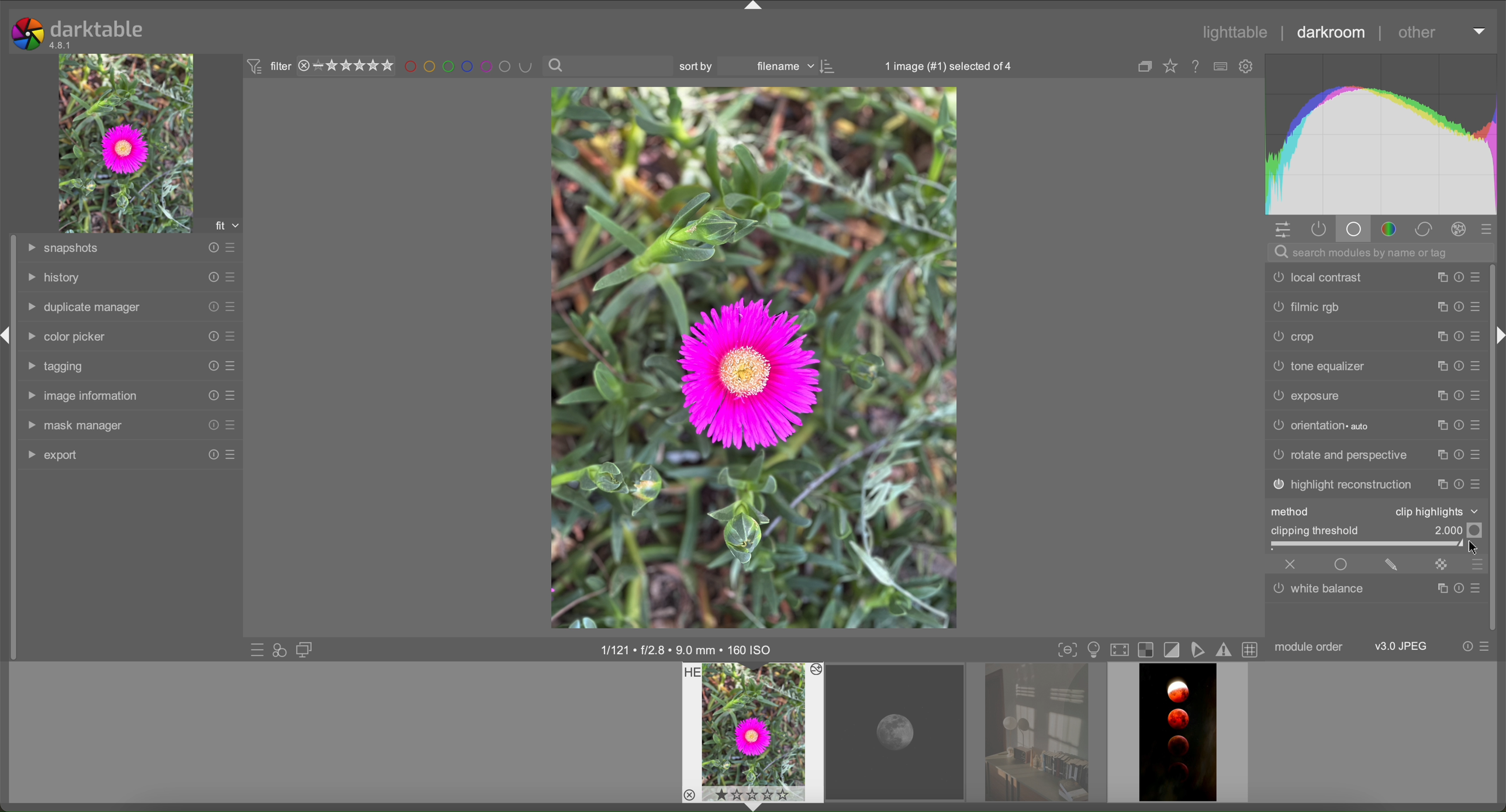  Describe the element at coordinates (1226, 652) in the screenshot. I see `gamut checking` at that location.